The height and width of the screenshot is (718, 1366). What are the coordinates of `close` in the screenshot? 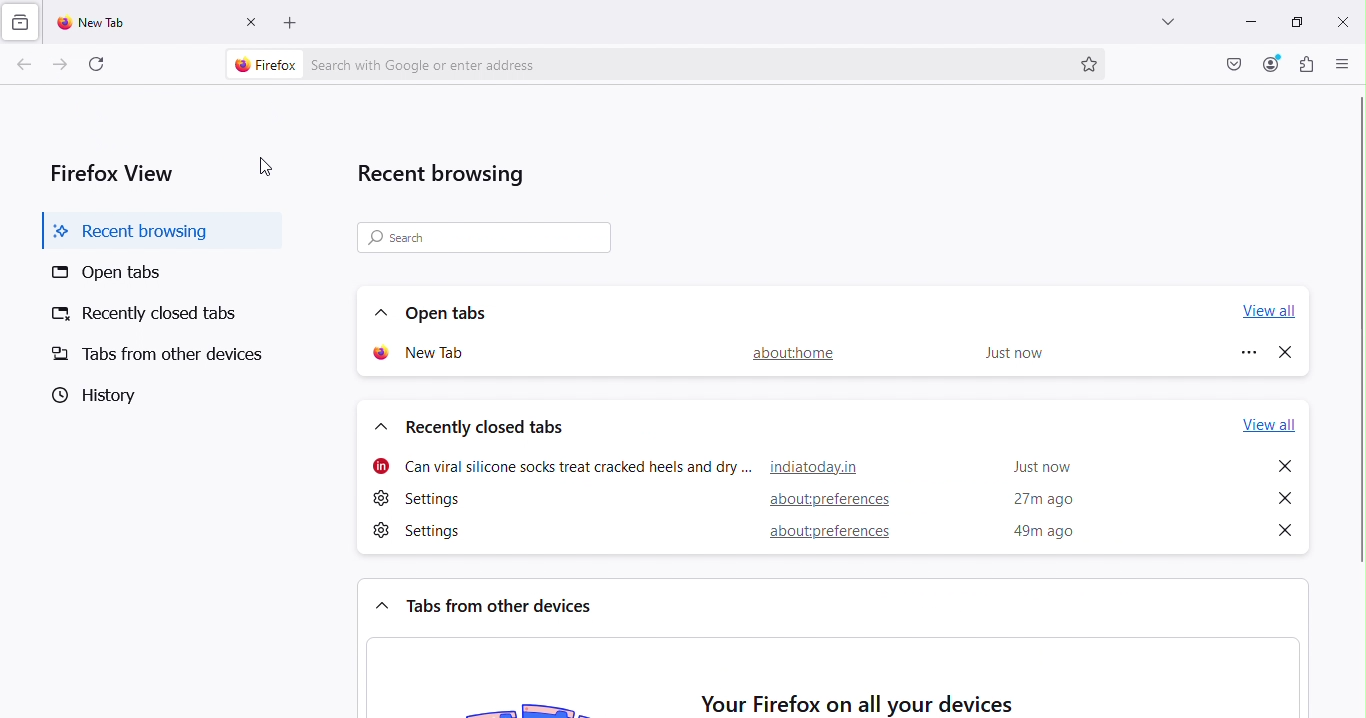 It's located at (1338, 24).